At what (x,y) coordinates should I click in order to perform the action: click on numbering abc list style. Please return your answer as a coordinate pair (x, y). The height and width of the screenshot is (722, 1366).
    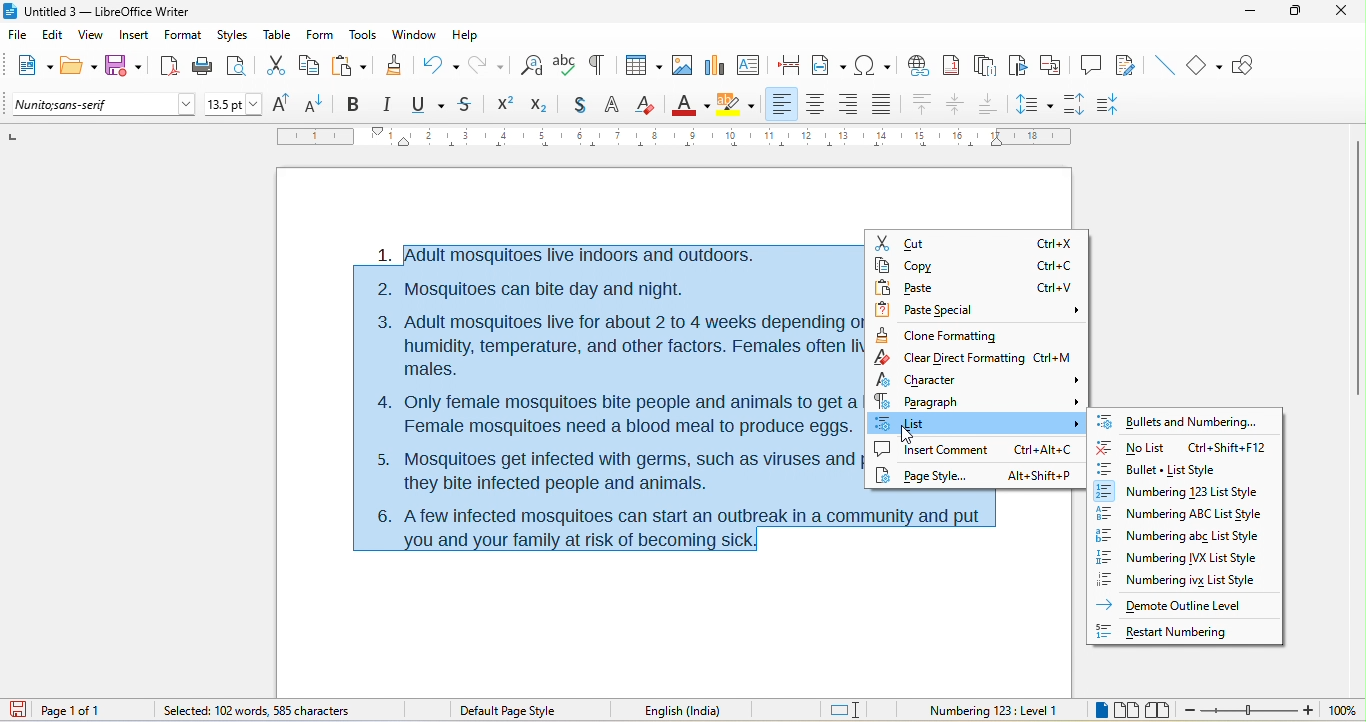
    Looking at the image, I should click on (1192, 536).